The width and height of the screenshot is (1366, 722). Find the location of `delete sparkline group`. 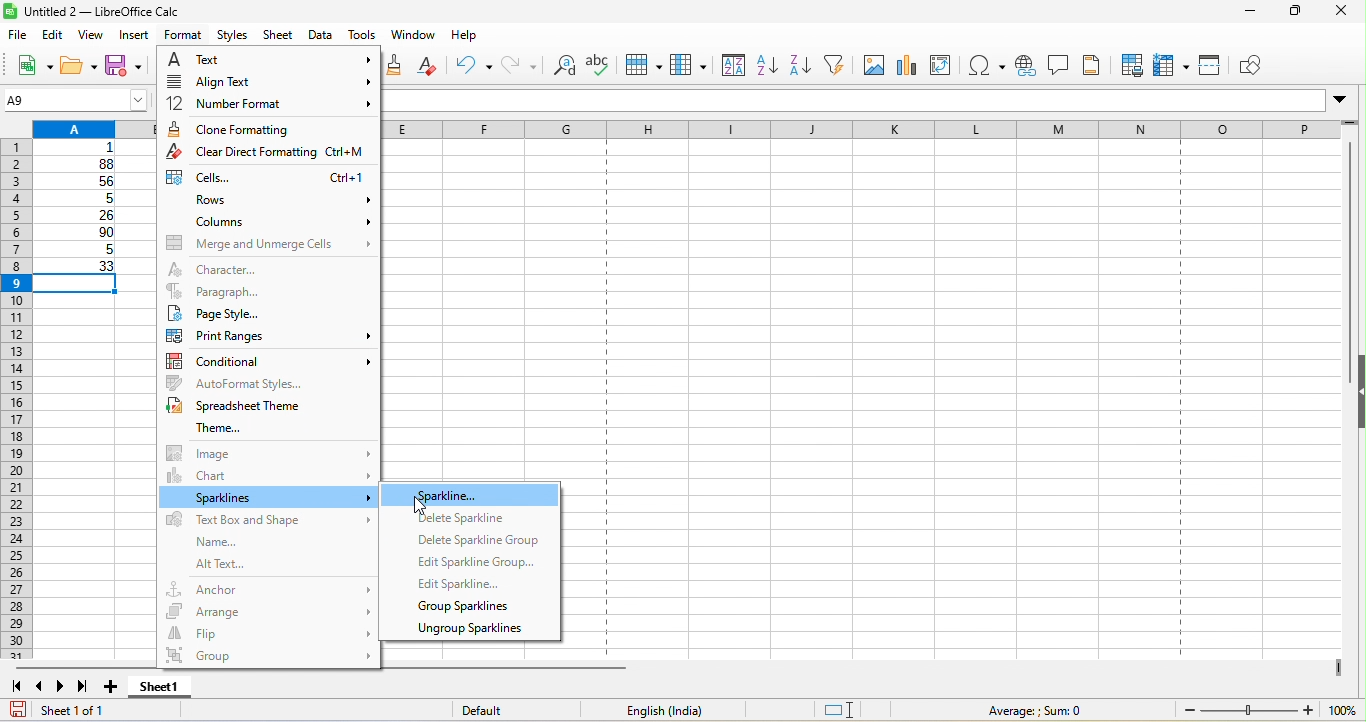

delete sparkline group is located at coordinates (477, 542).